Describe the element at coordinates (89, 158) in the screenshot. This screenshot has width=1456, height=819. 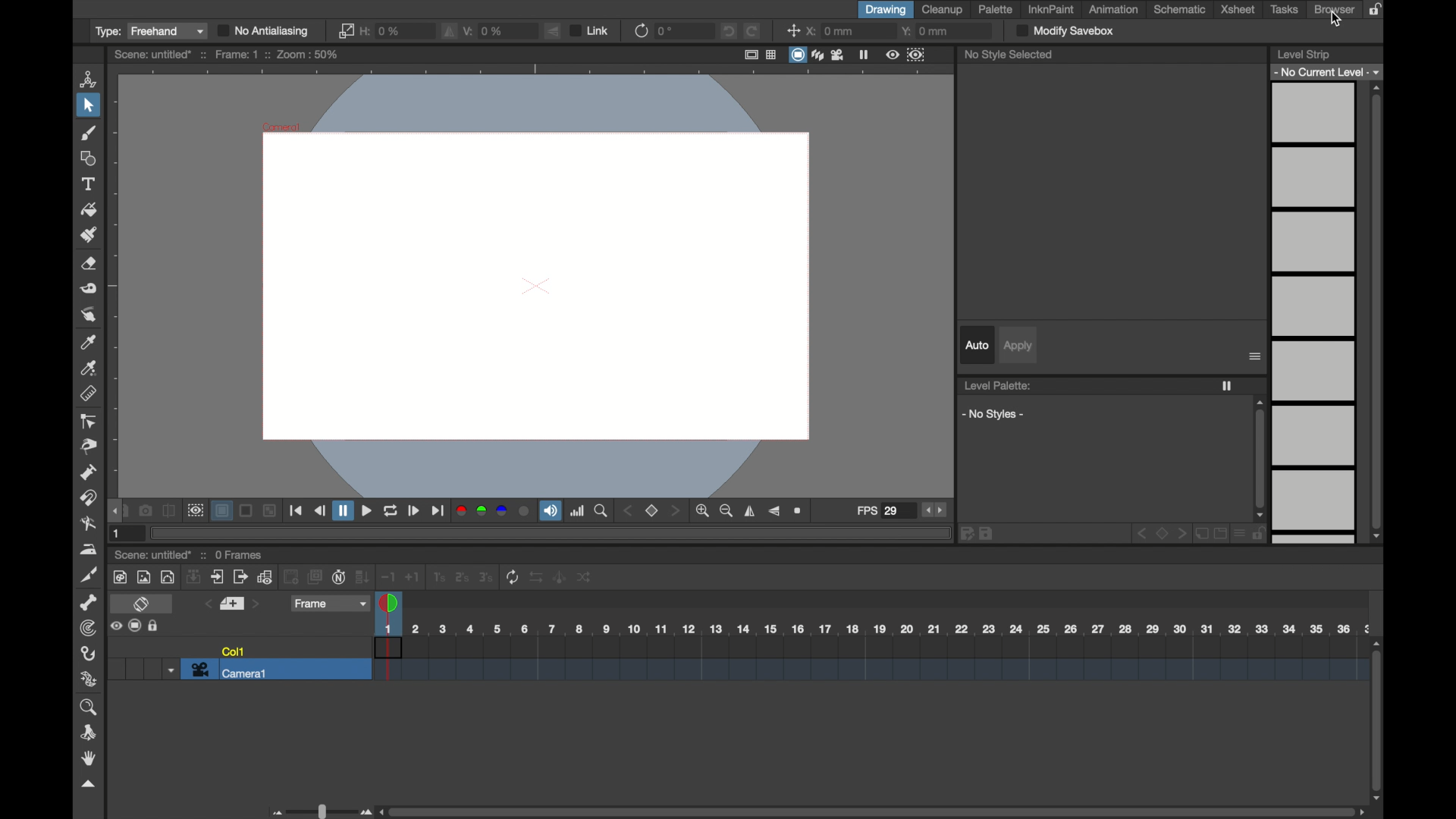
I see `shape tool` at that location.